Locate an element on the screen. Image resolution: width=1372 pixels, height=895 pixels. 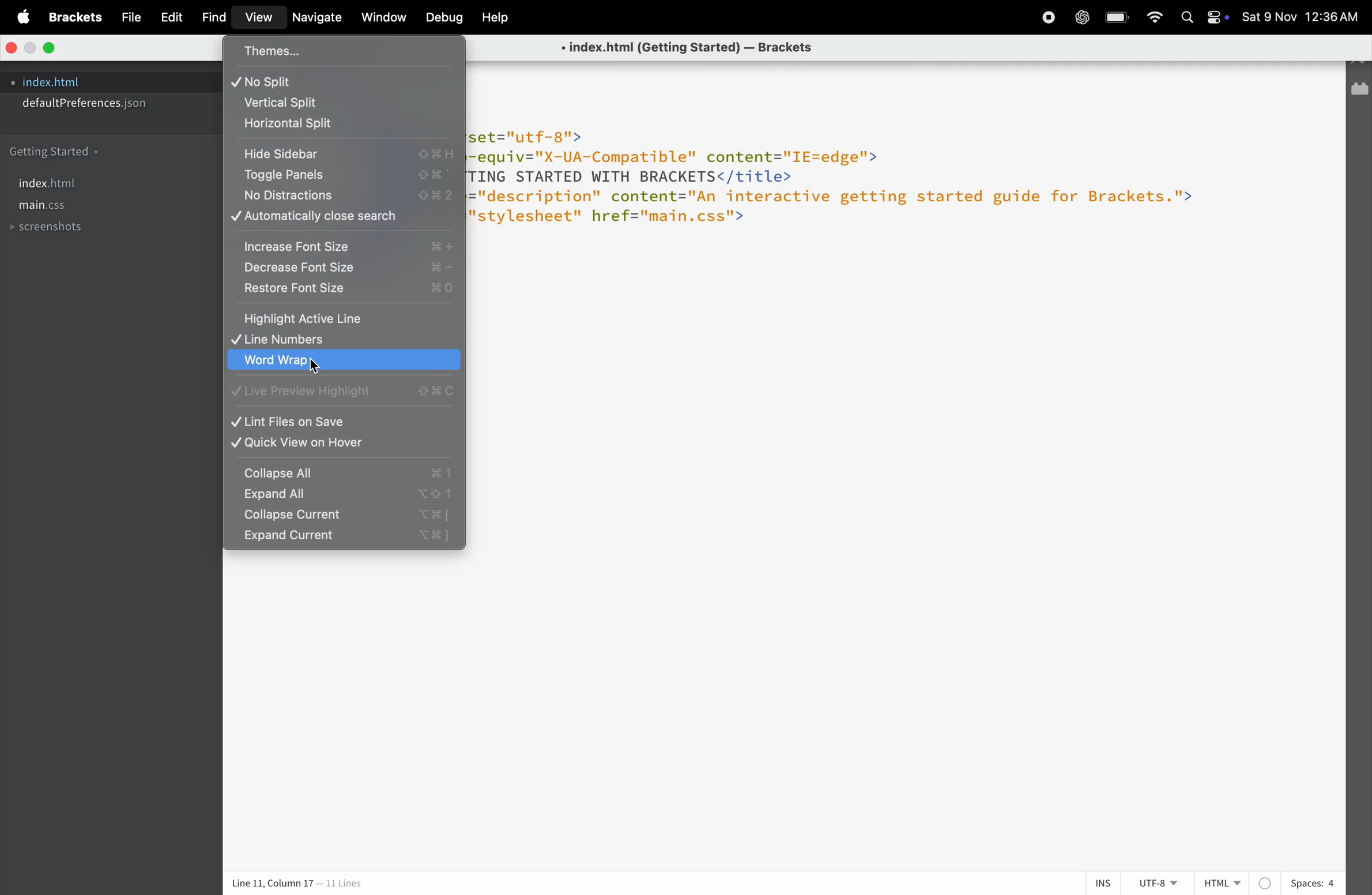
expand all is located at coordinates (340, 495).